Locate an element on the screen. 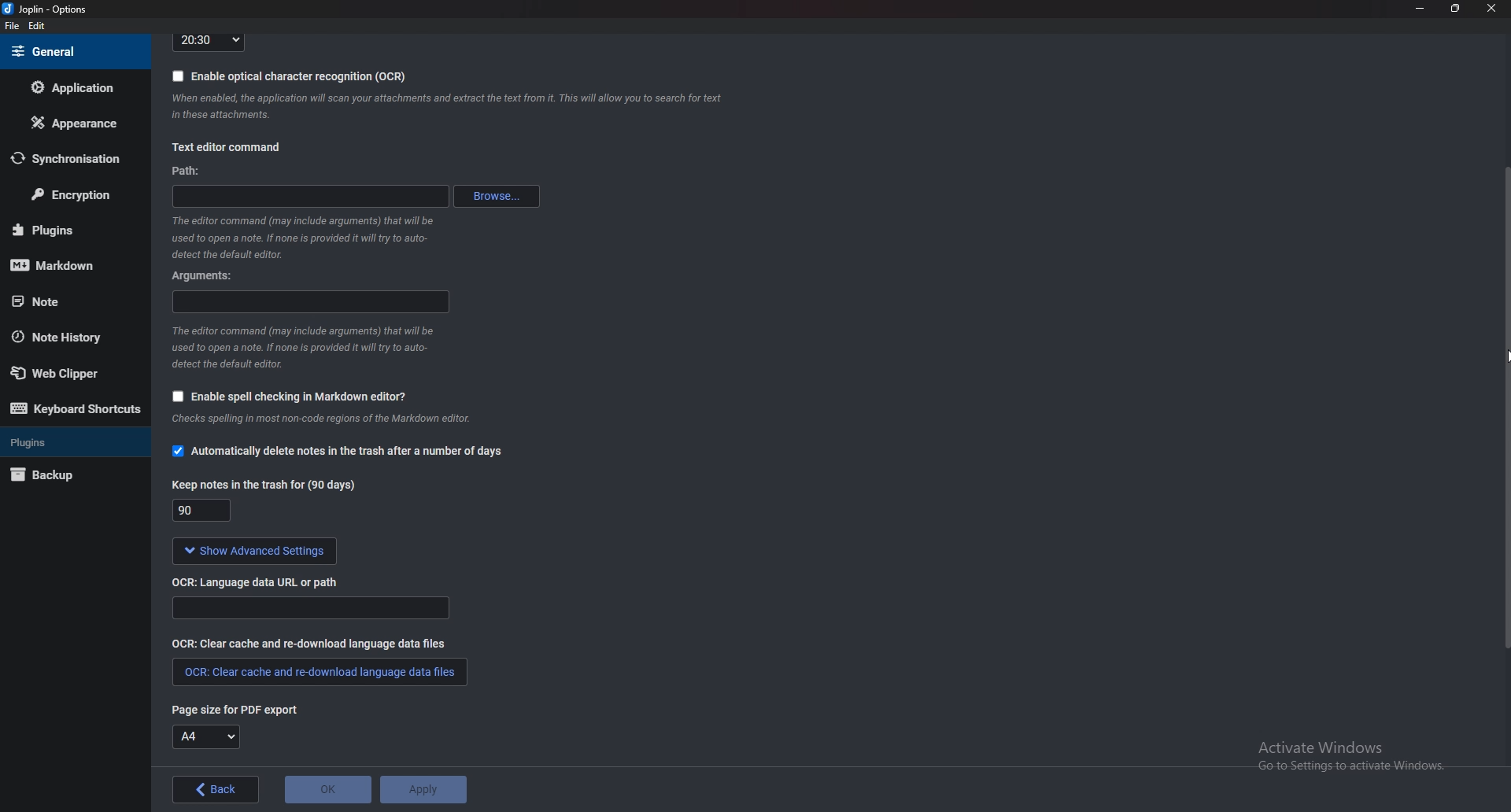  Apply is located at coordinates (422, 790).